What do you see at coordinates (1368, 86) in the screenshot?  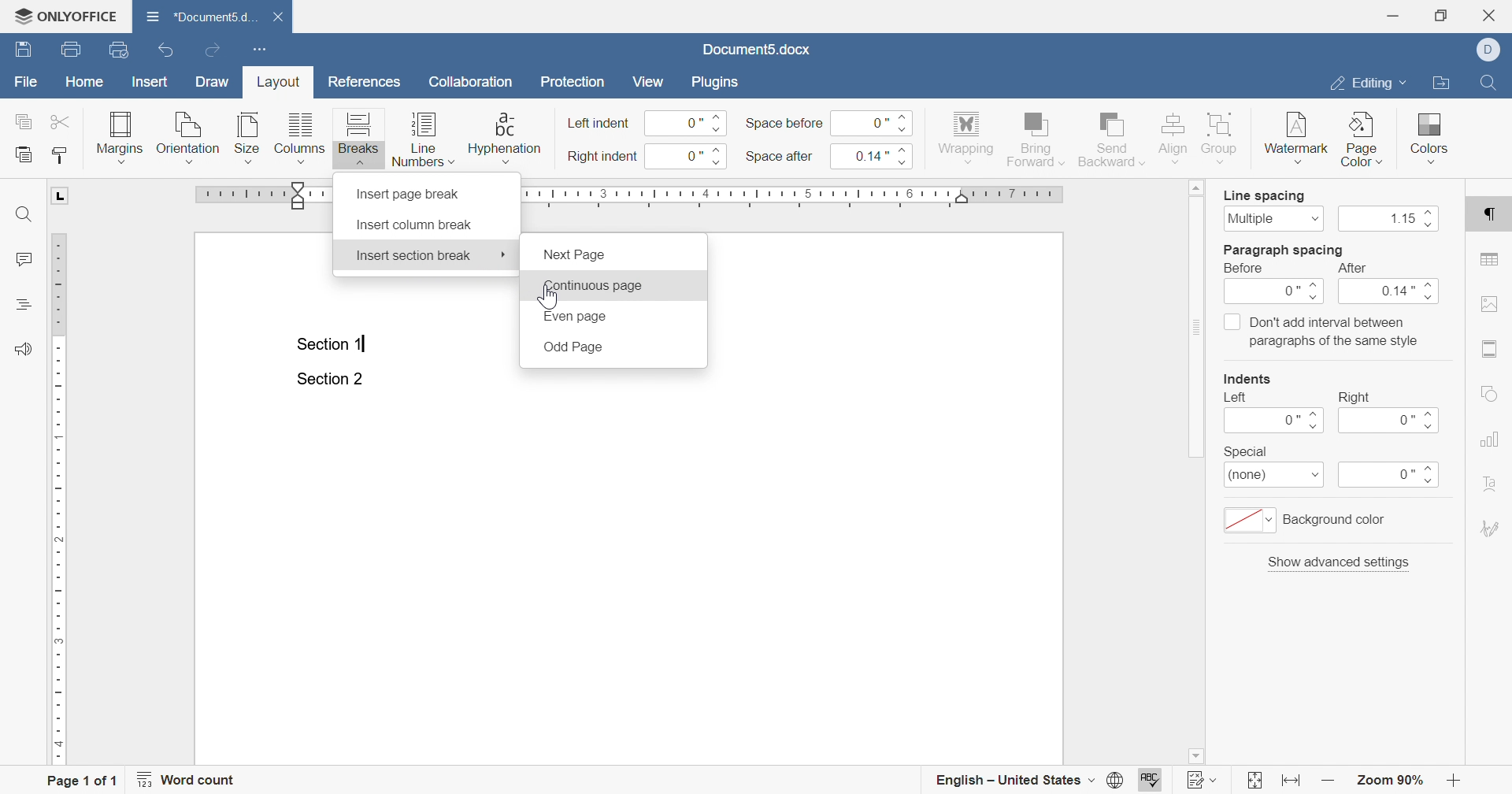 I see `editing` at bounding box center [1368, 86].